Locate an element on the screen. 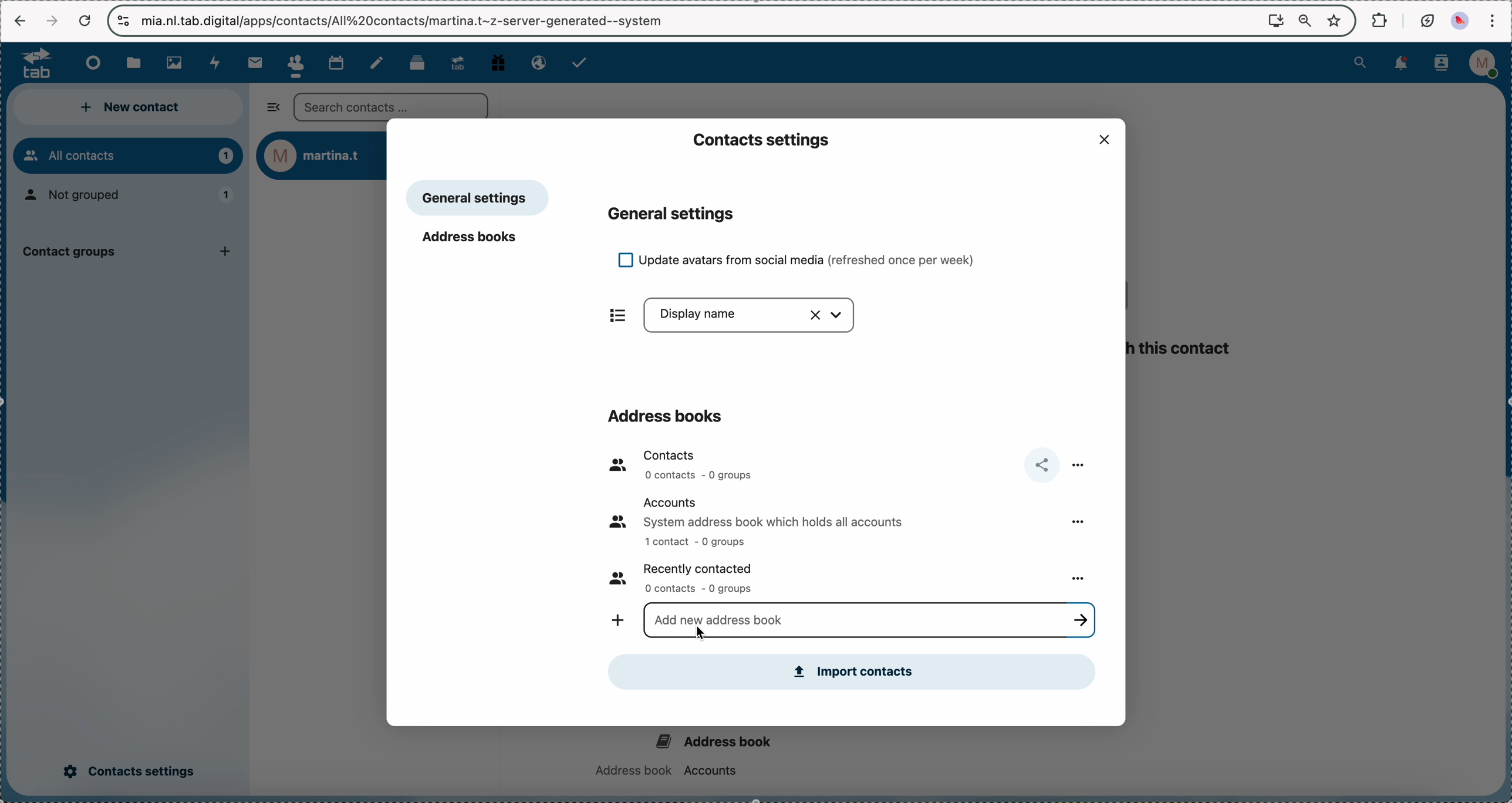  display name is located at coordinates (753, 317).